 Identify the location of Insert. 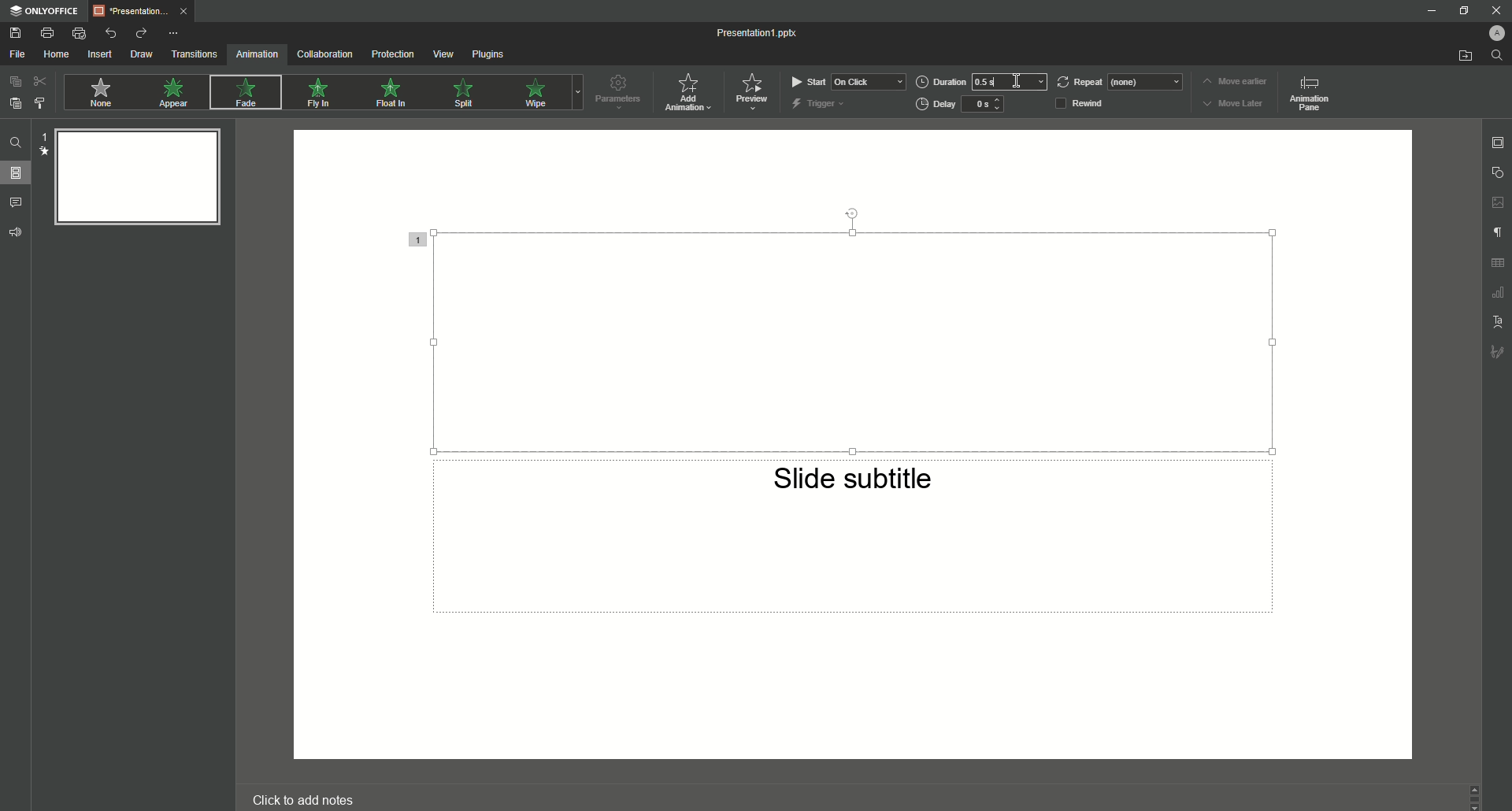
(101, 54).